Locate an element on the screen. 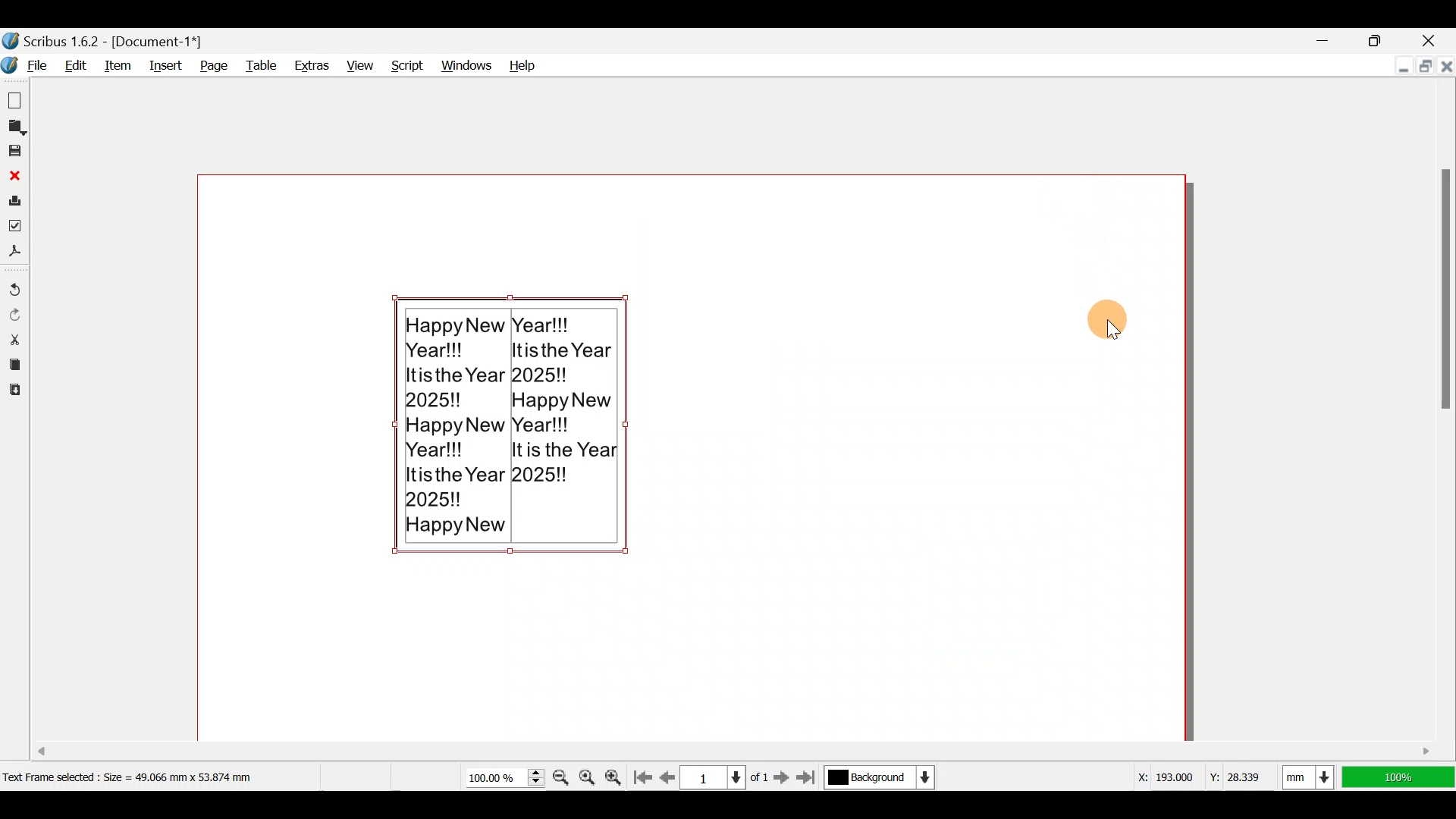 This screenshot has width=1456, height=819. Go to the next page is located at coordinates (783, 777).